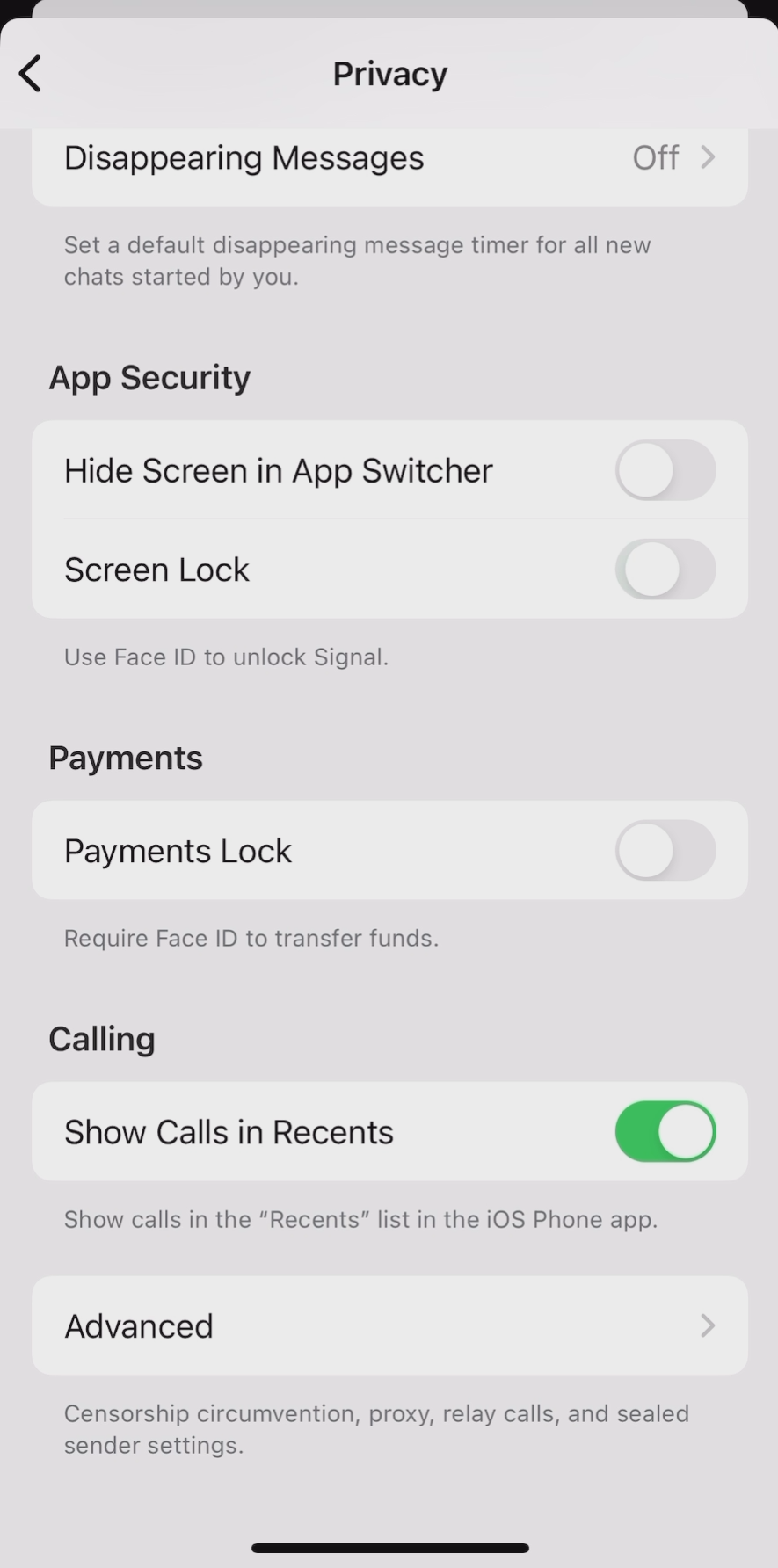 The height and width of the screenshot is (1568, 778). What do you see at coordinates (396, 571) in the screenshot?
I see `Screen Lock` at bounding box center [396, 571].